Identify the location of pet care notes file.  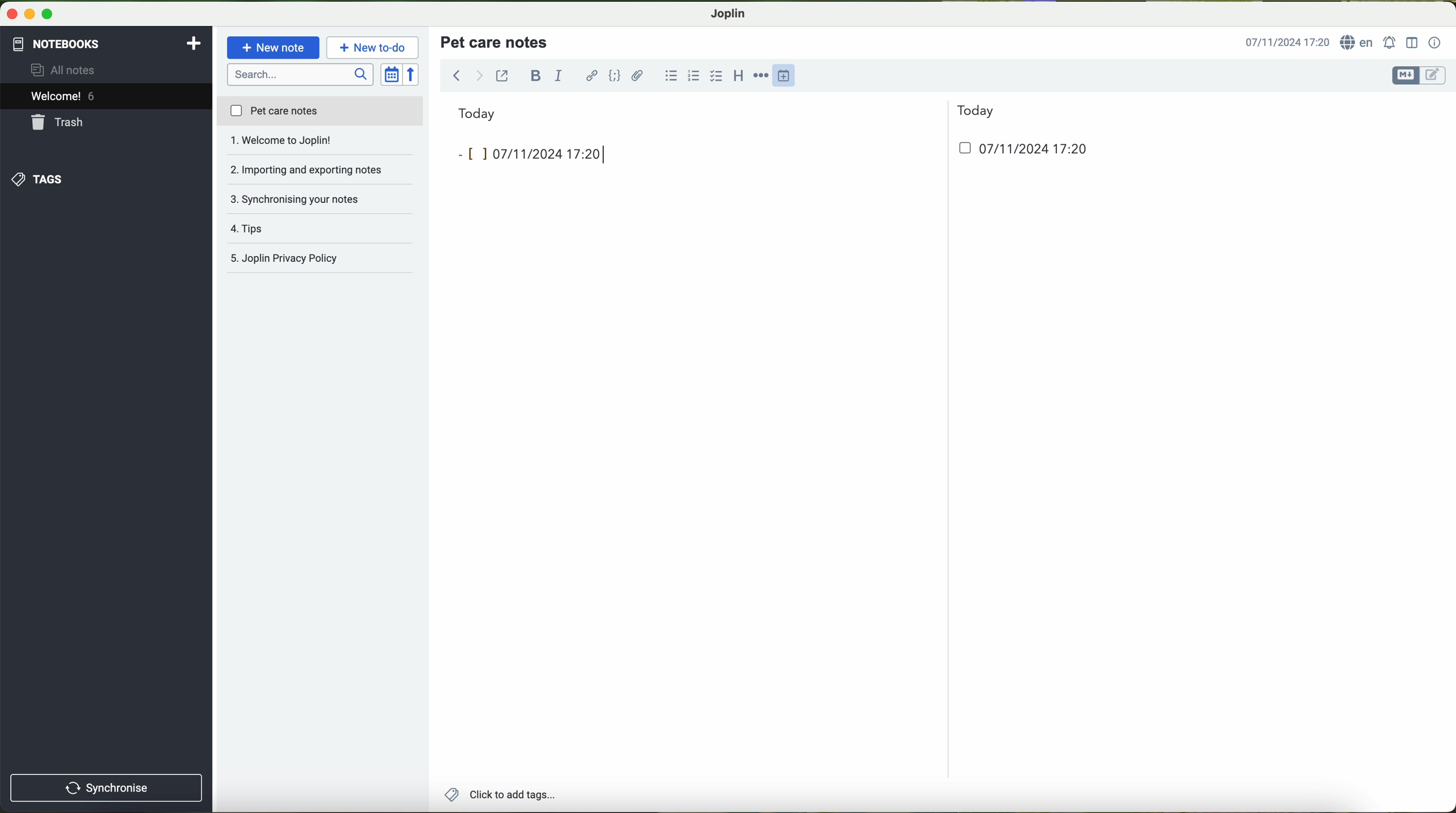
(319, 112).